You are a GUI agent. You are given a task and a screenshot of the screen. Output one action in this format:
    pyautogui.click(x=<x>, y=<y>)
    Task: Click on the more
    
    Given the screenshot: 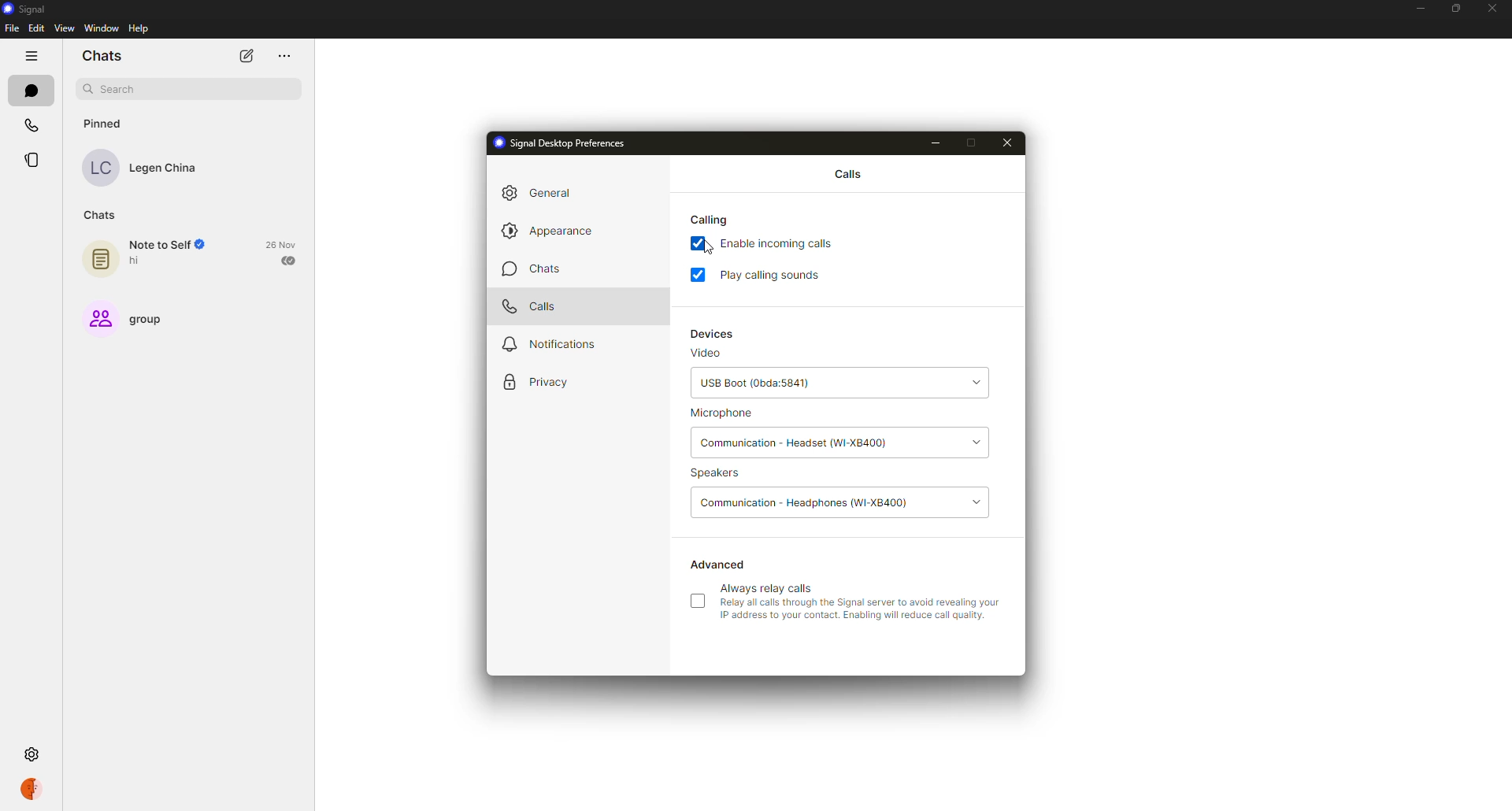 What is the action you would take?
    pyautogui.click(x=283, y=55)
    